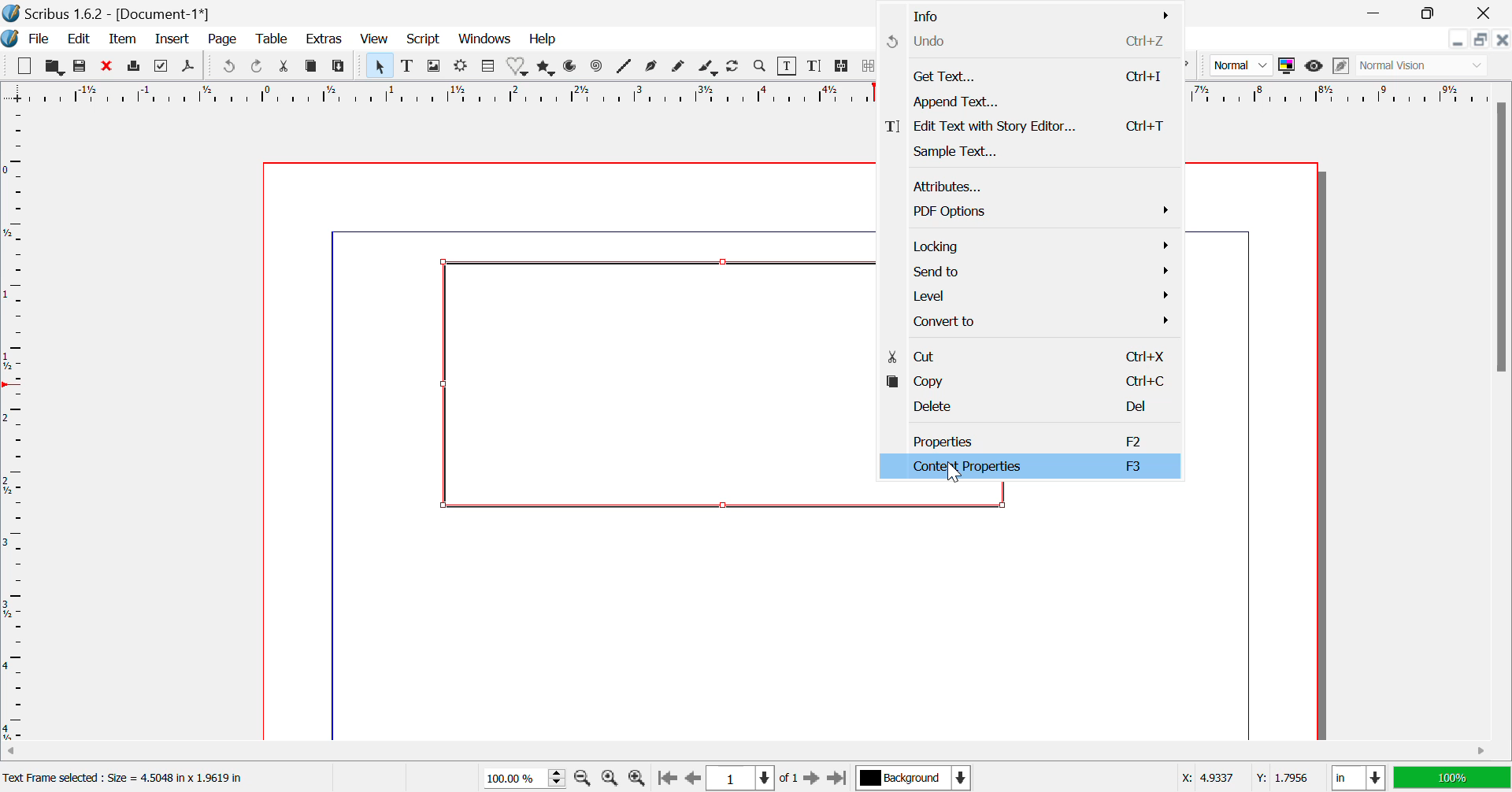  I want to click on Restore Down, so click(1460, 40).